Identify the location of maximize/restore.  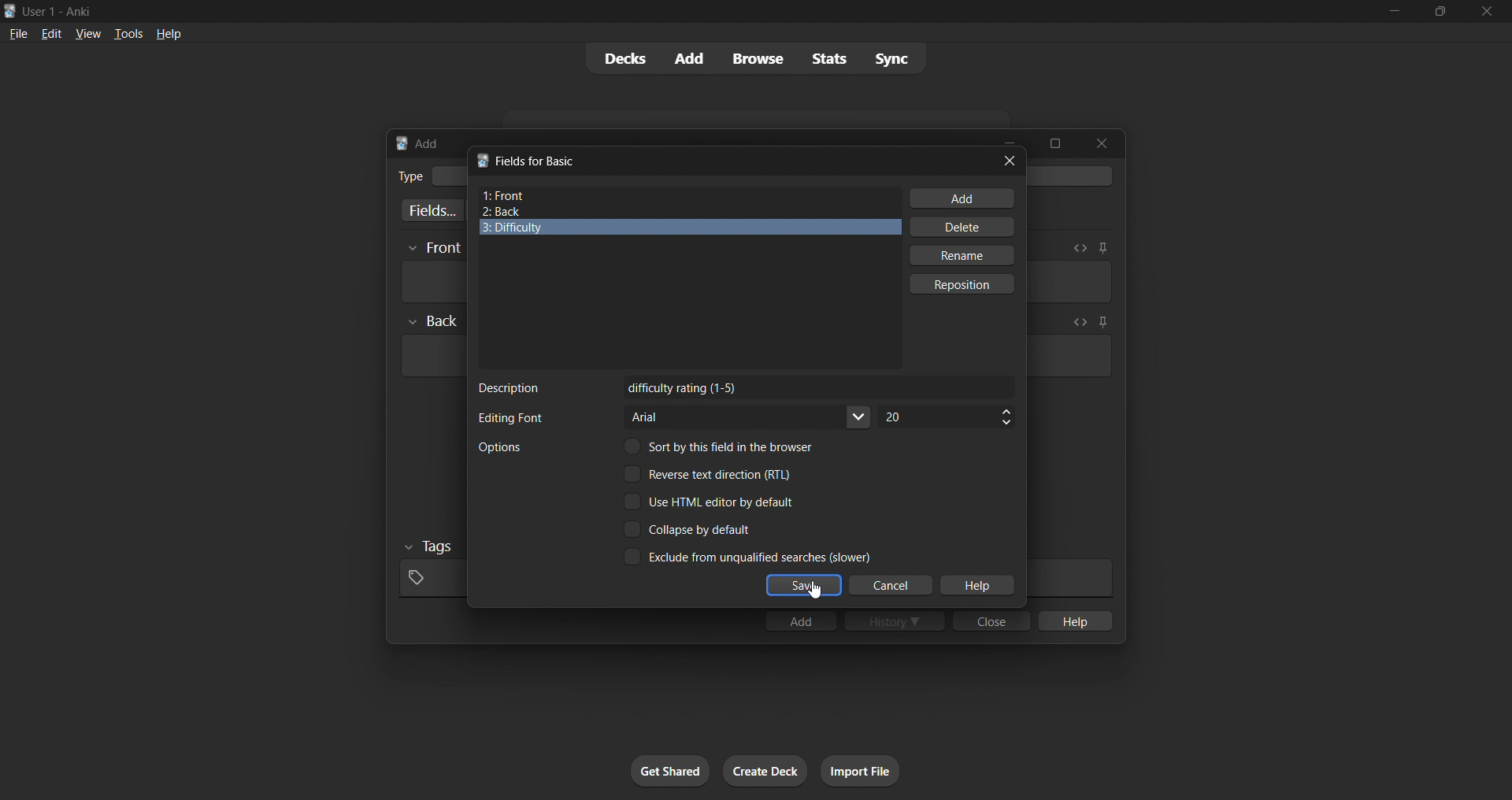
(1440, 12).